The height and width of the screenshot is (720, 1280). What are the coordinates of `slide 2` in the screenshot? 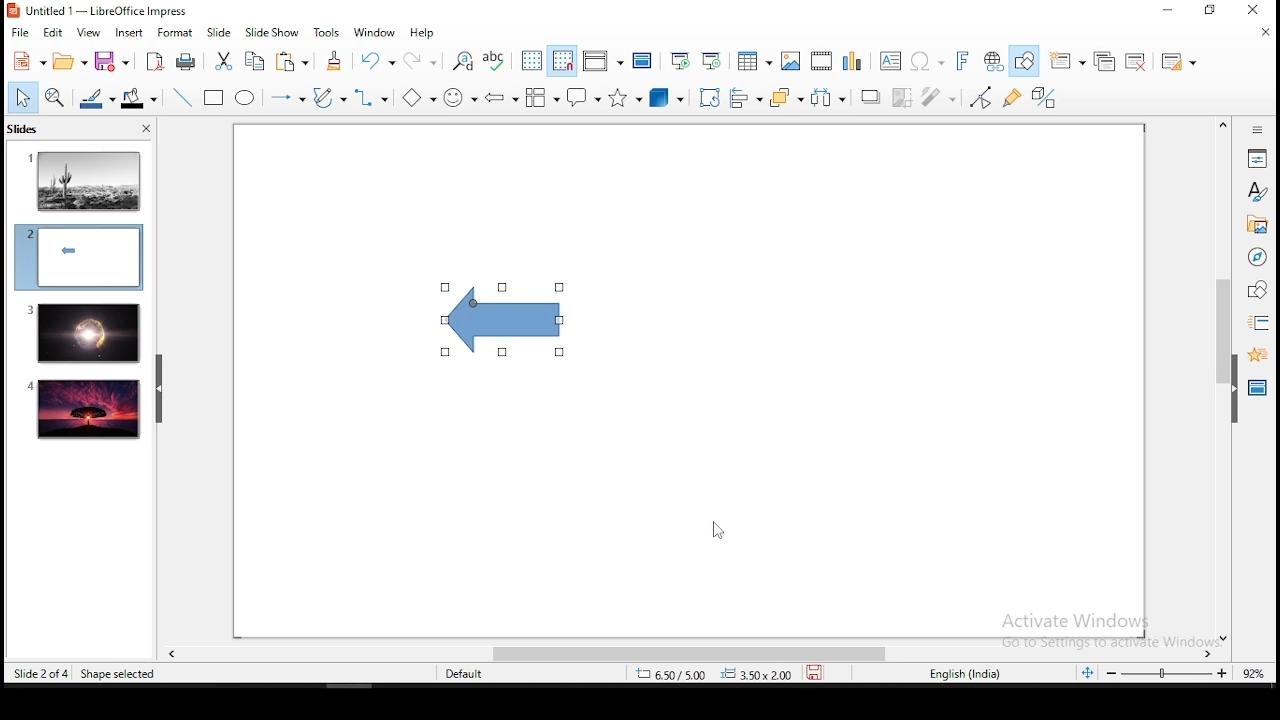 It's located at (78, 257).